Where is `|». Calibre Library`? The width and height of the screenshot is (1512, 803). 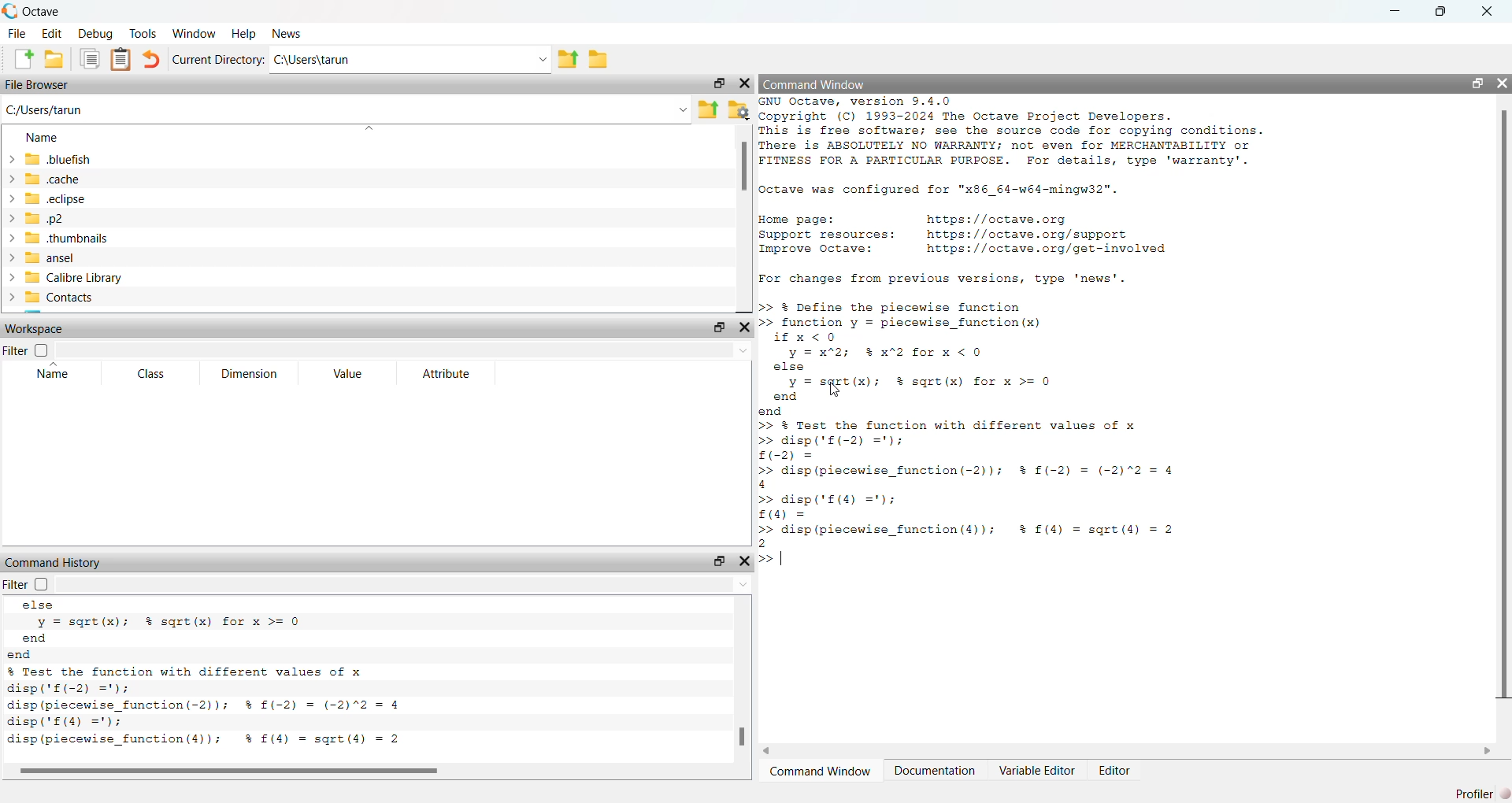 |». Calibre Library is located at coordinates (67, 278).